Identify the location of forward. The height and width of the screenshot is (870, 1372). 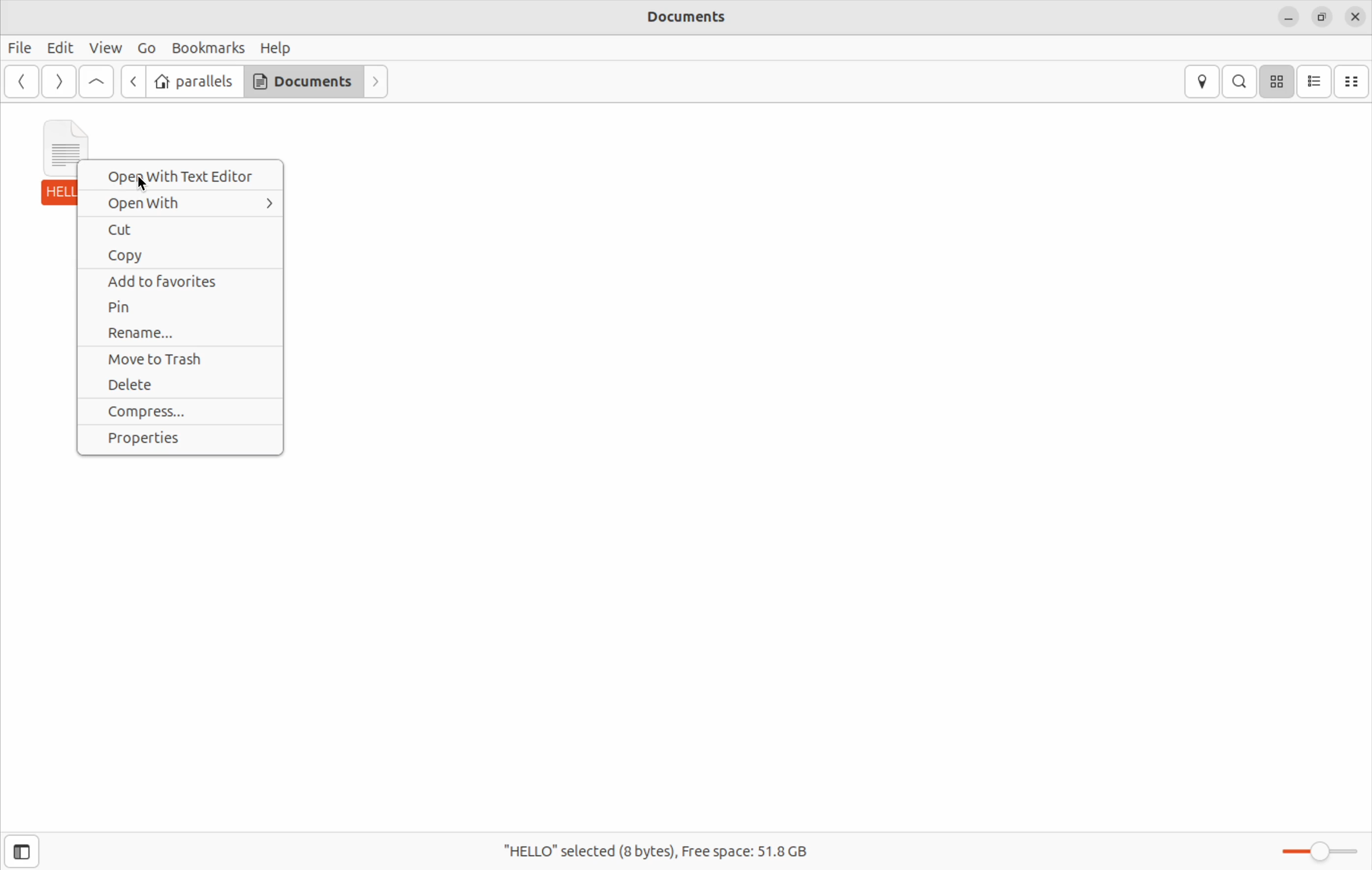
(133, 81).